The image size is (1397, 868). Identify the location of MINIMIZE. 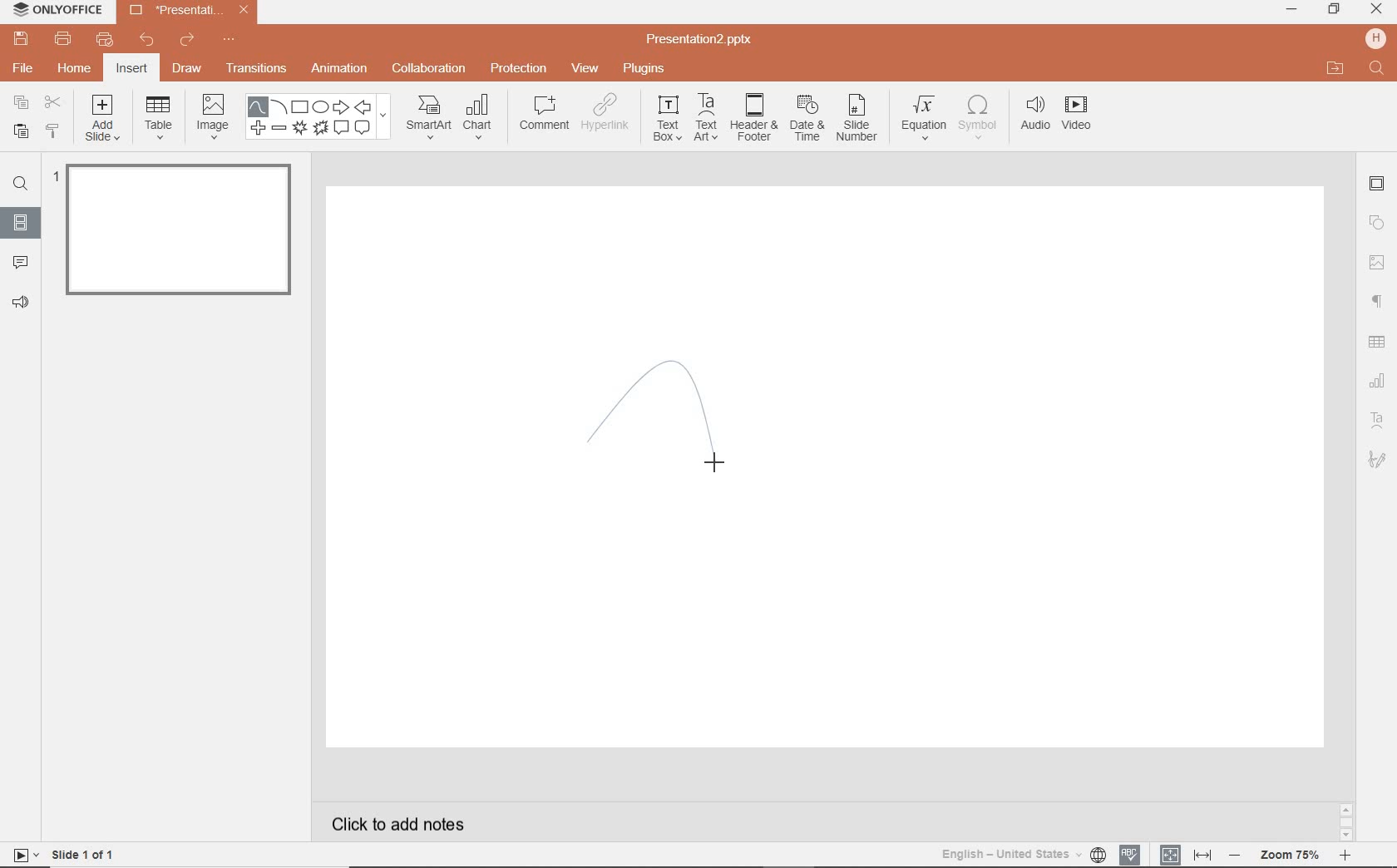
(1291, 10).